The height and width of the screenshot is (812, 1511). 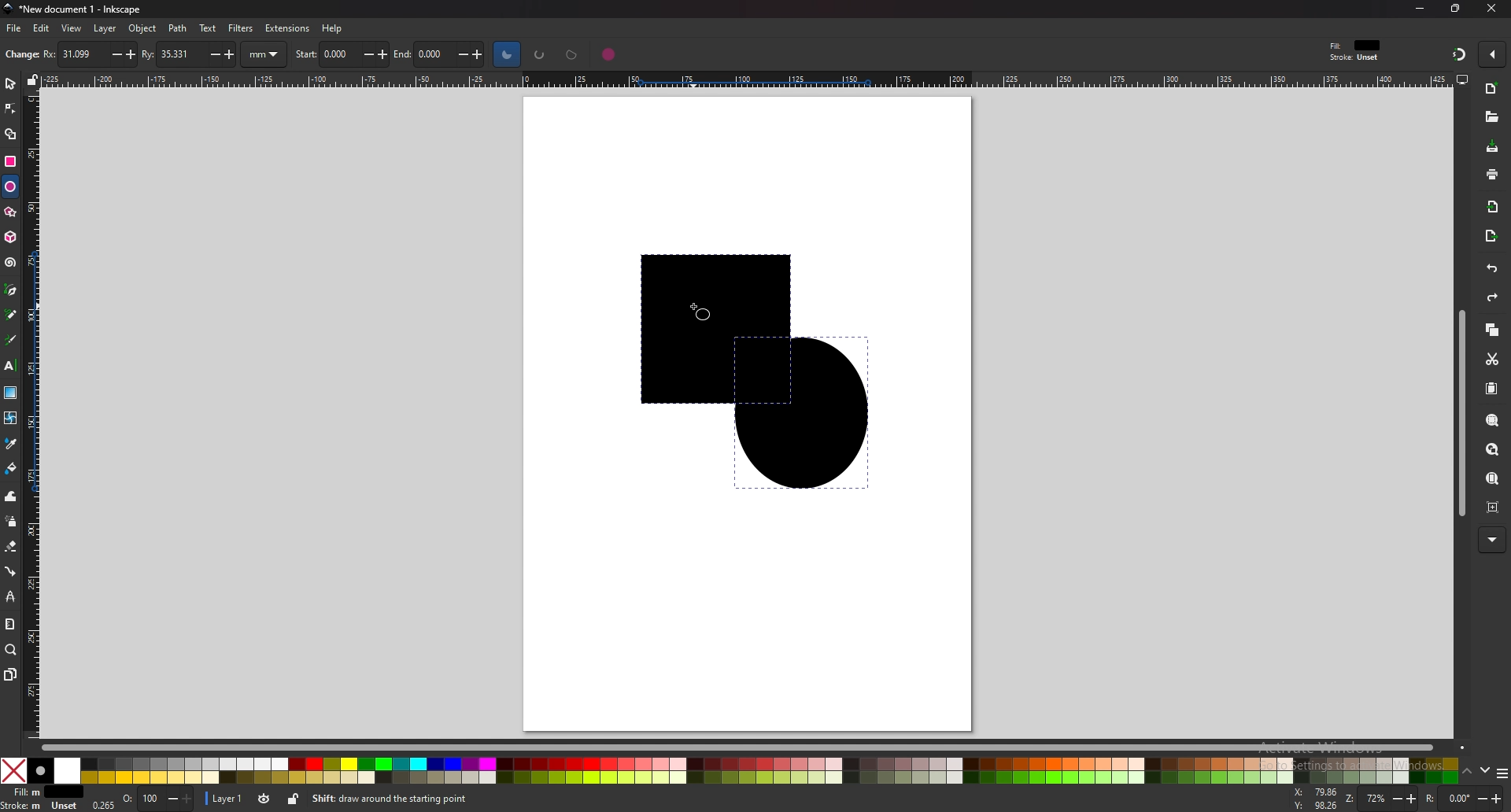 I want to click on zoom page, so click(x=1494, y=478).